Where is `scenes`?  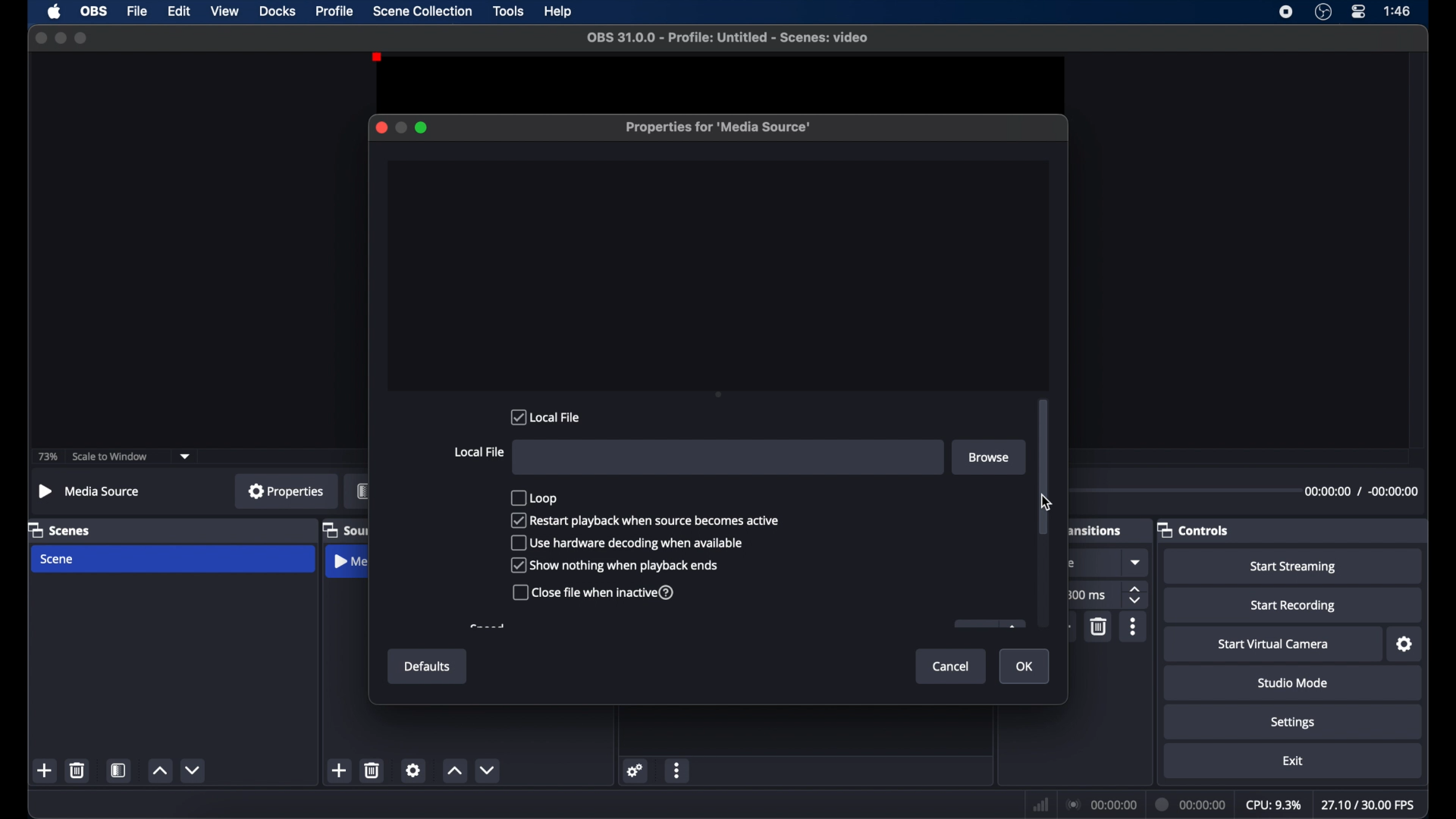
scenes is located at coordinates (58, 531).